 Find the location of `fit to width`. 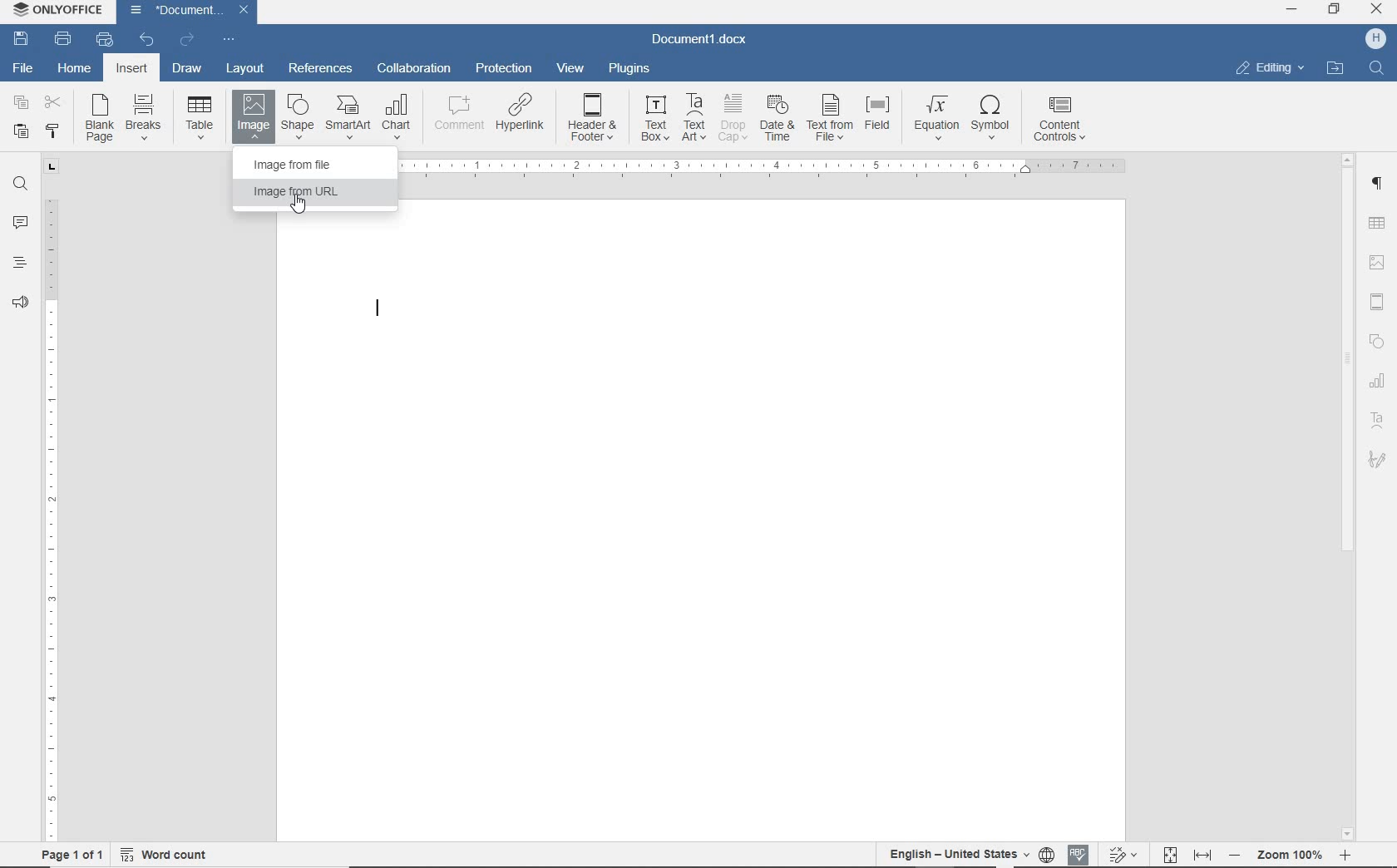

fit to width is located at coordinates (1202, 856).